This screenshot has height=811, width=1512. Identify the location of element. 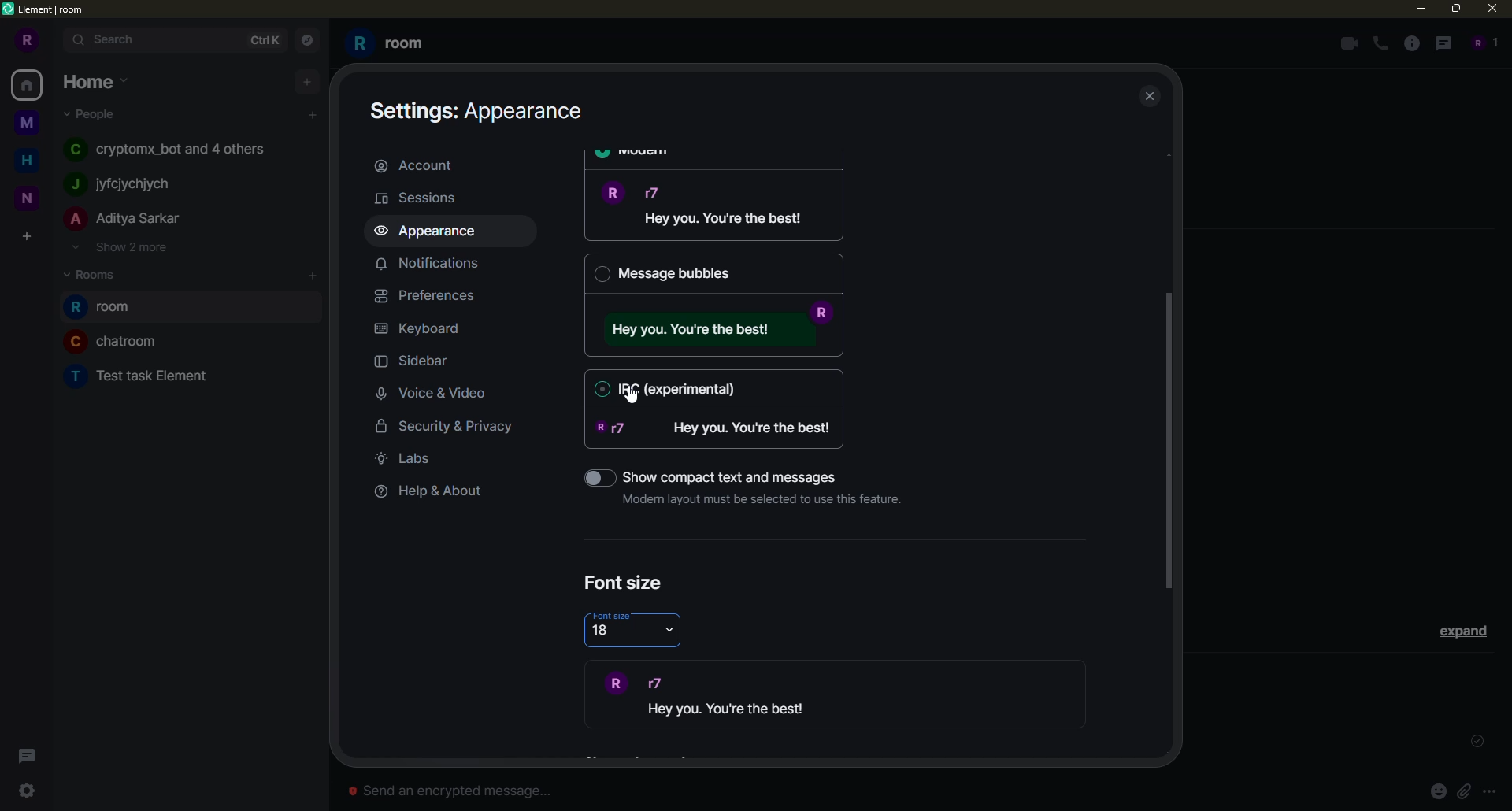
(46, 10).